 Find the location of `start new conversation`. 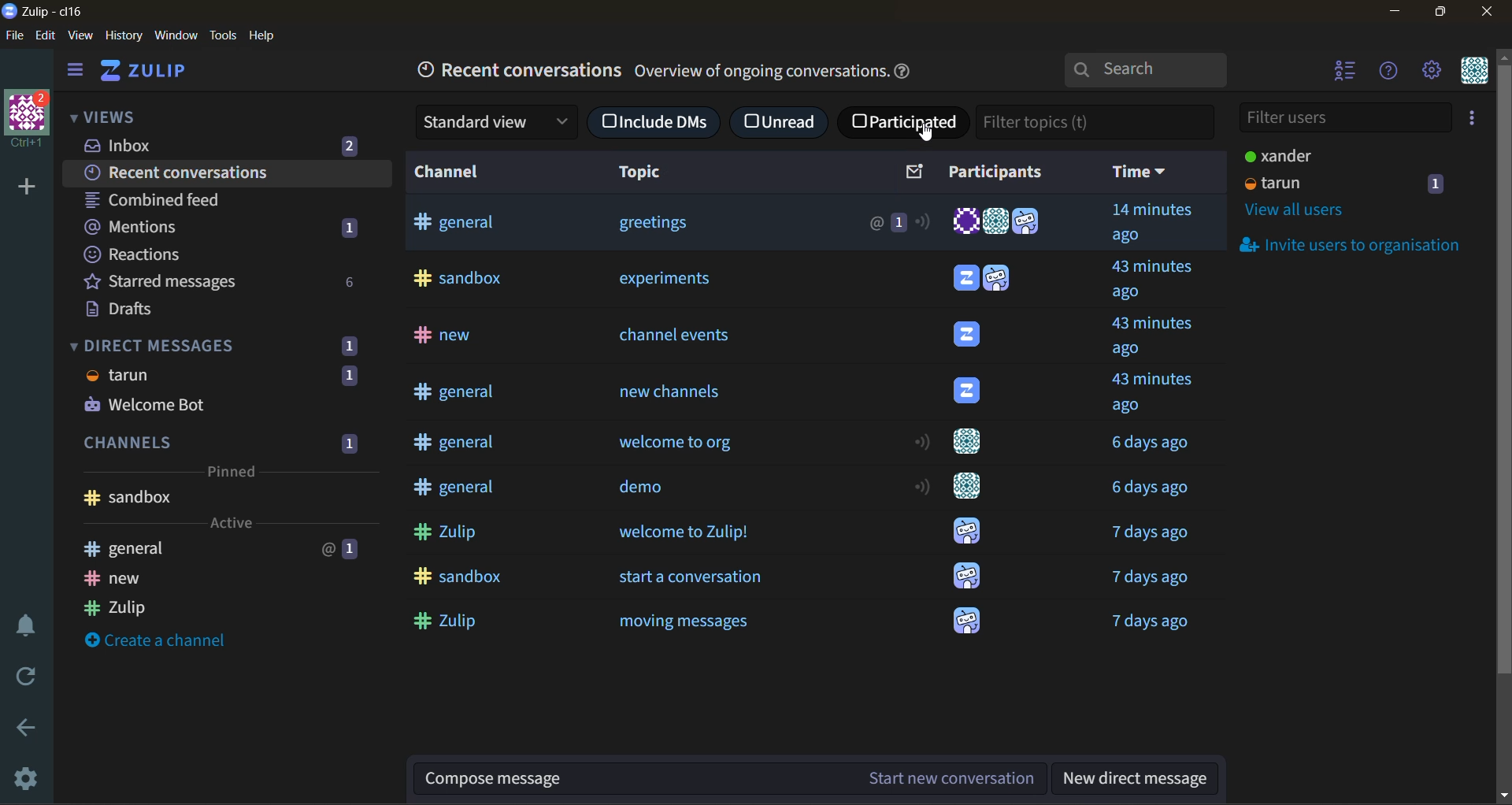

start new conversation is located at coordinates (949, 778).